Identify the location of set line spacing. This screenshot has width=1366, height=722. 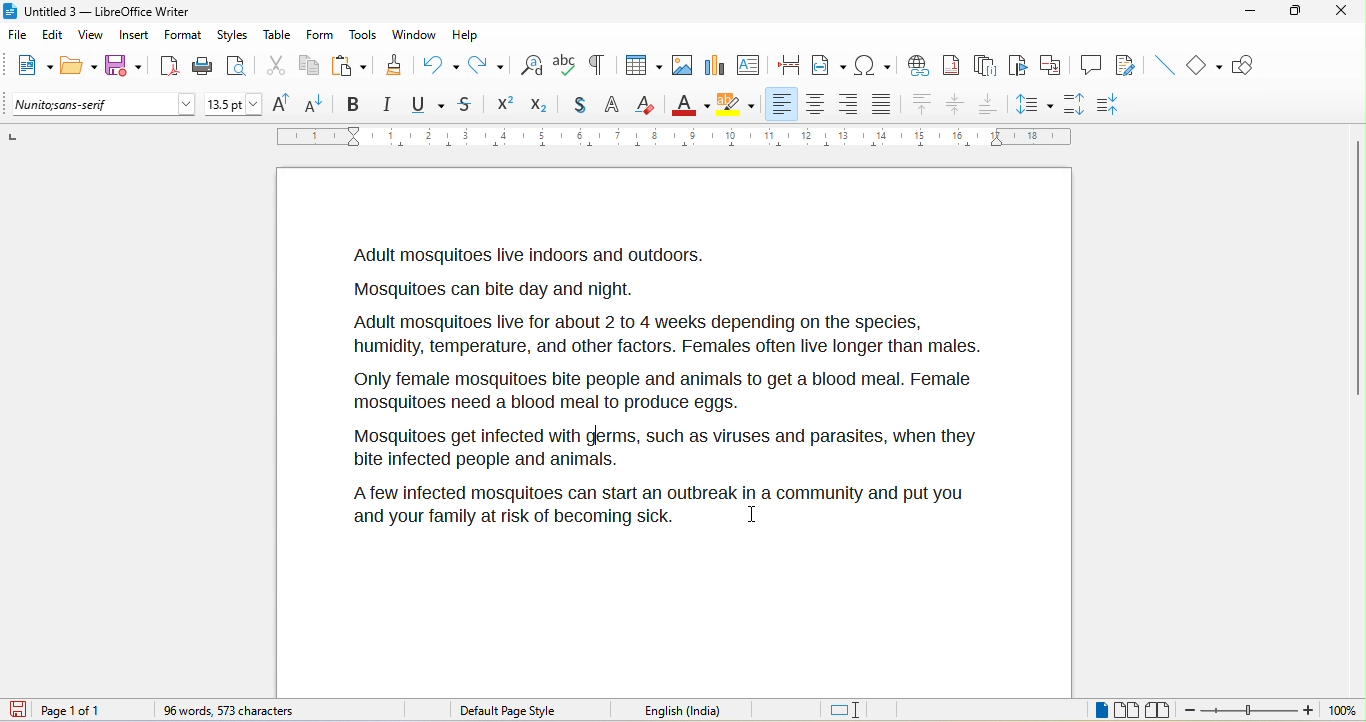
(1035, 103).